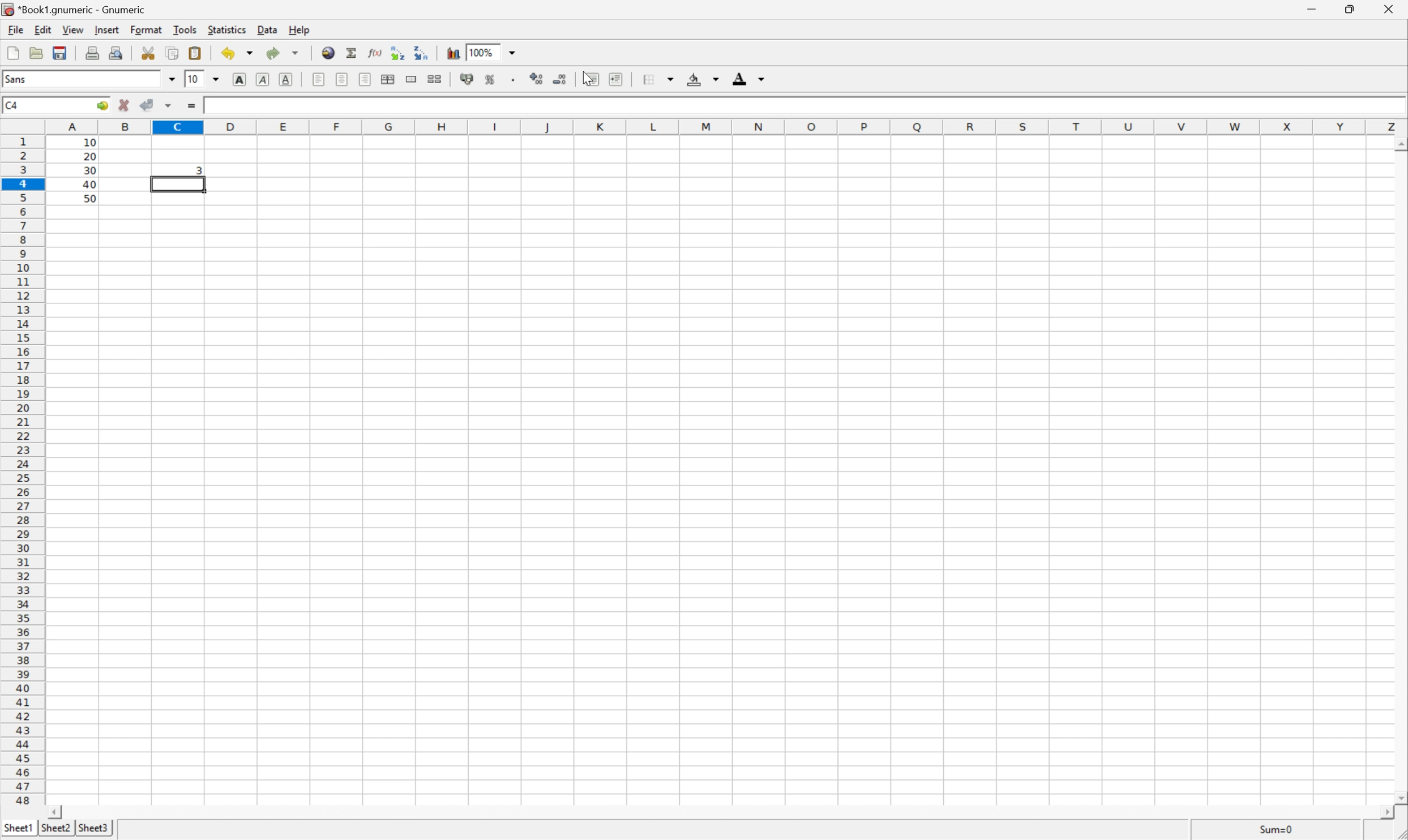  Describe the element at coordinates (106, 29) in the screenshot. I see `Insert` at that location.